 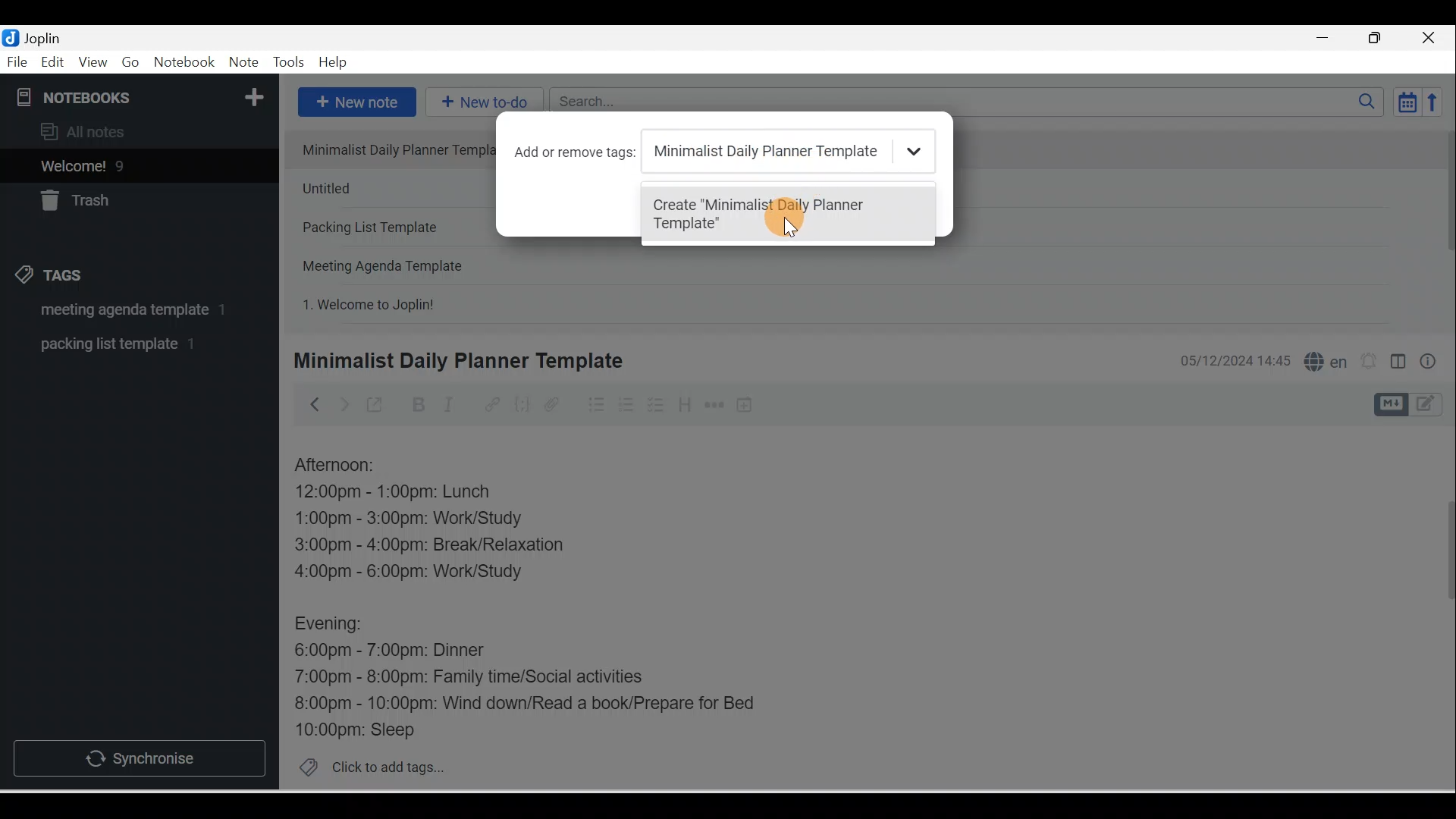 I want to click on Forward, so click(x=343, y=403).